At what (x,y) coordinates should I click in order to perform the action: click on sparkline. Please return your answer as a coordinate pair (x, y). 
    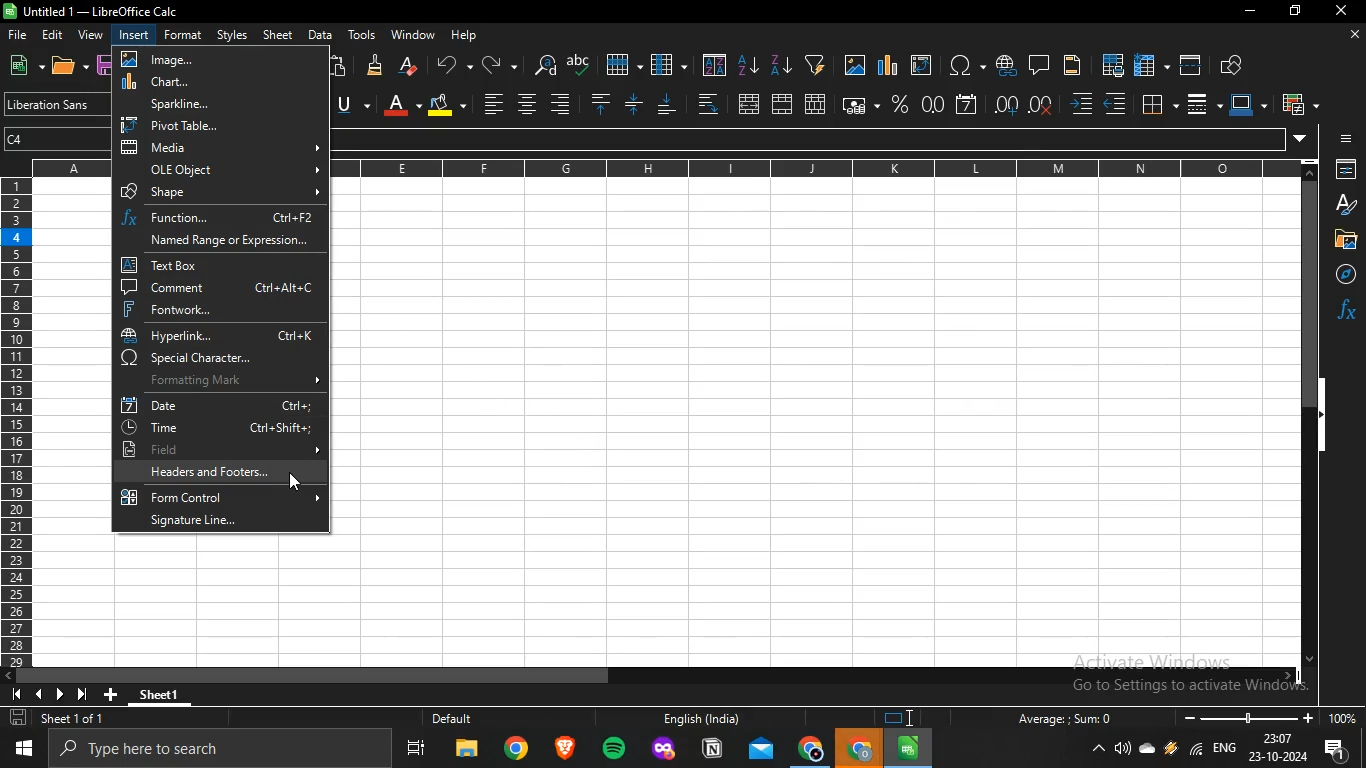
    Looking at the image, I should click on (213, 104).